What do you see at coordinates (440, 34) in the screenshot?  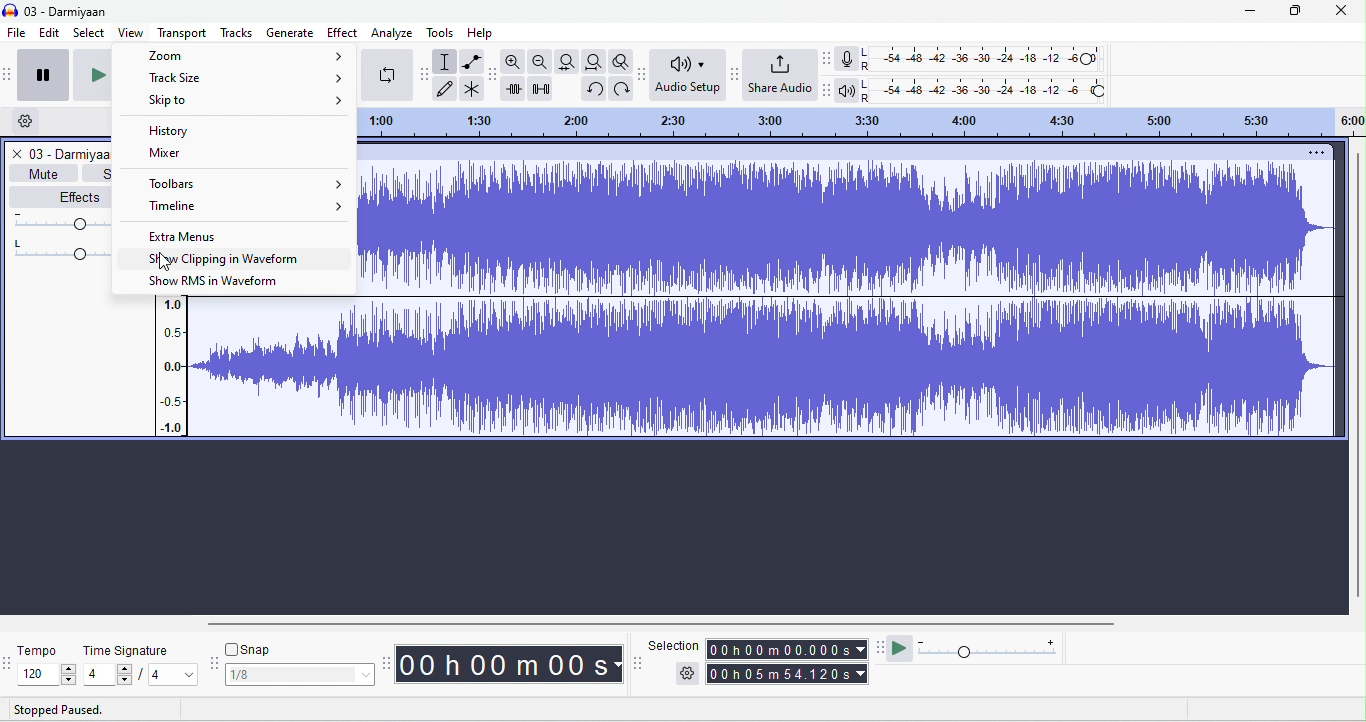 I see `tools` at bounding box center [440, 34].